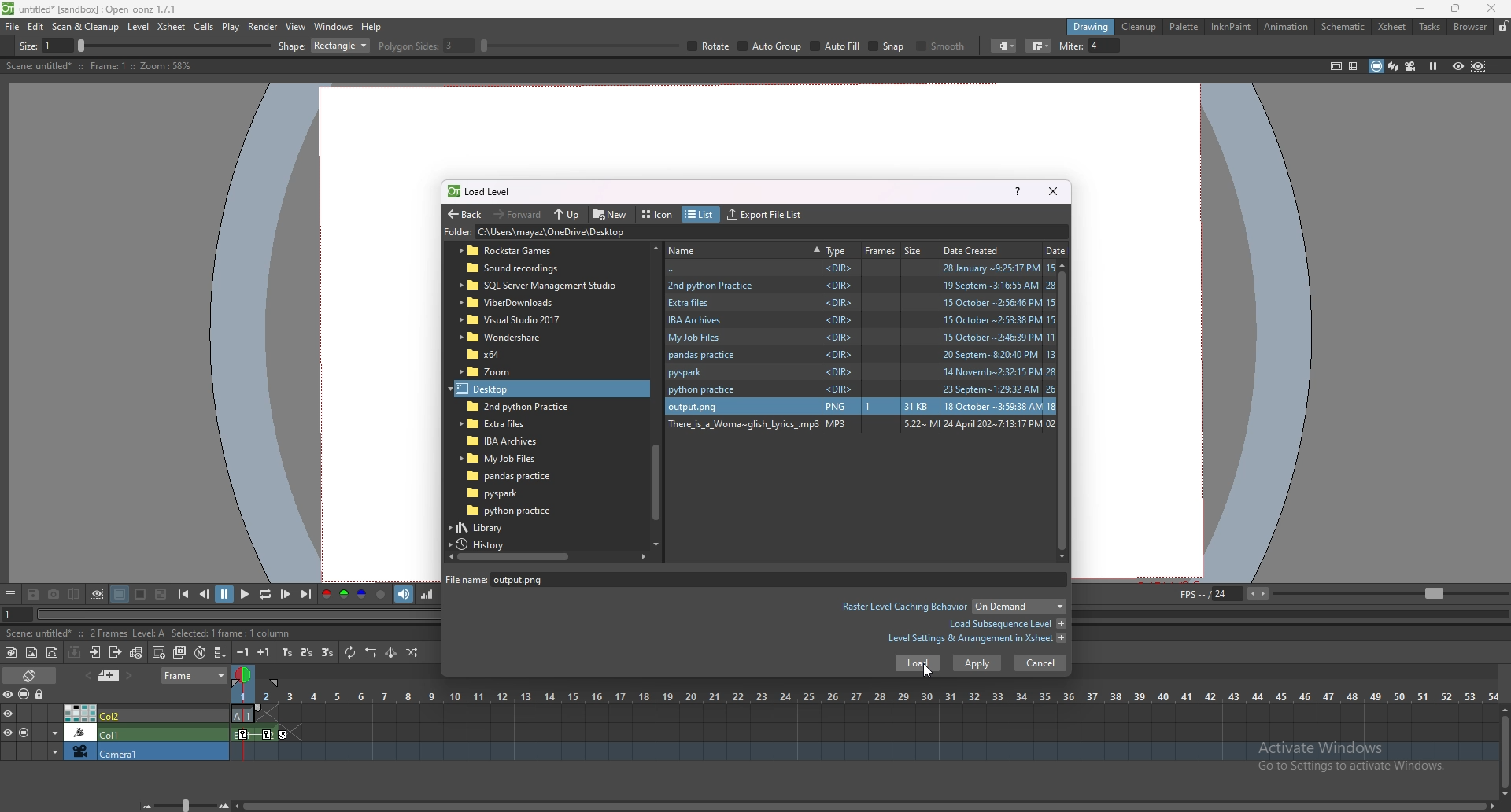 This screenshot has width=1511, height=812. I want to click on define sub camera, so click(97, 594).